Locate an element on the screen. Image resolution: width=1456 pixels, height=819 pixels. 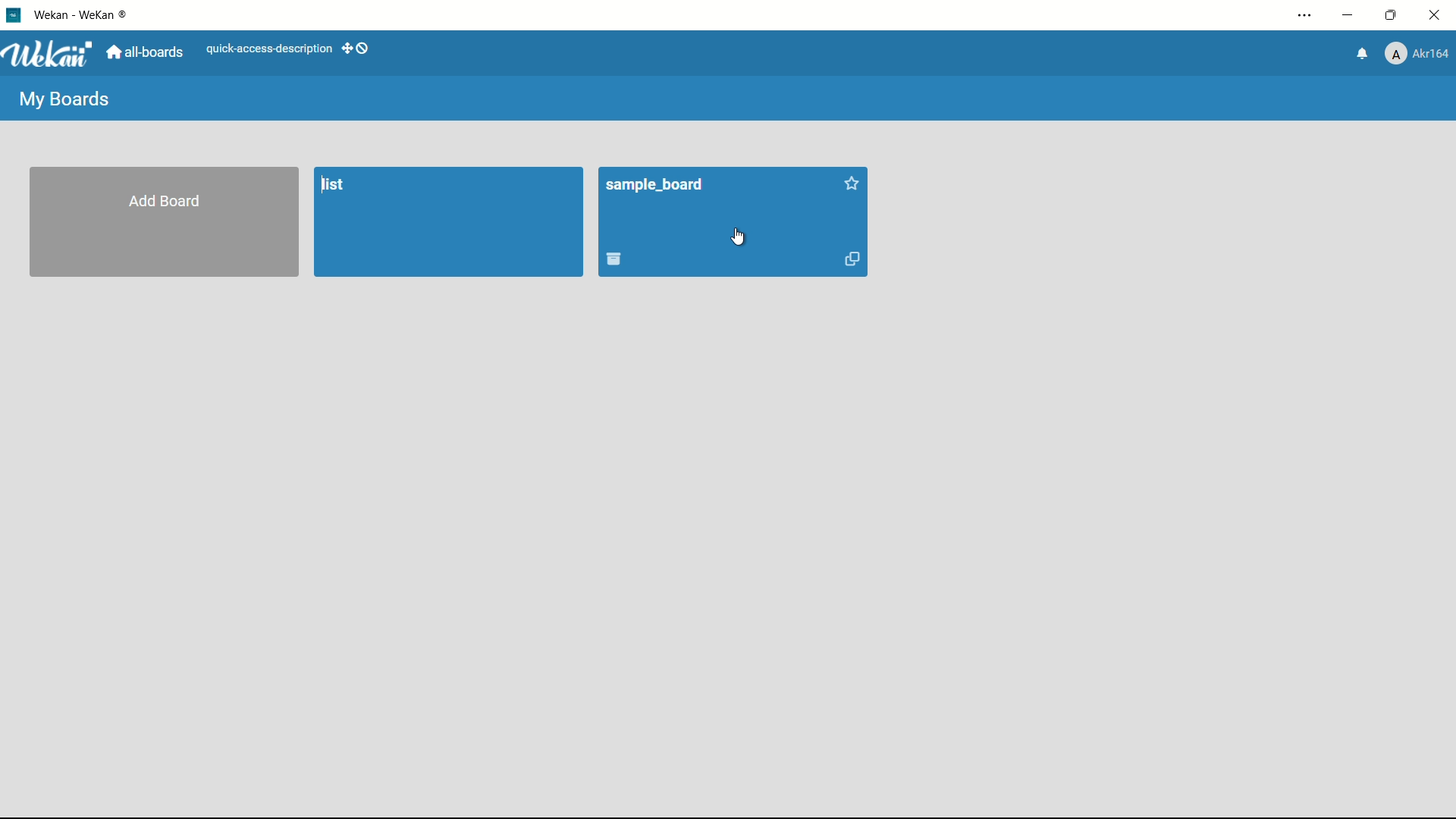
minimize is located at coordinates (1352, 15).